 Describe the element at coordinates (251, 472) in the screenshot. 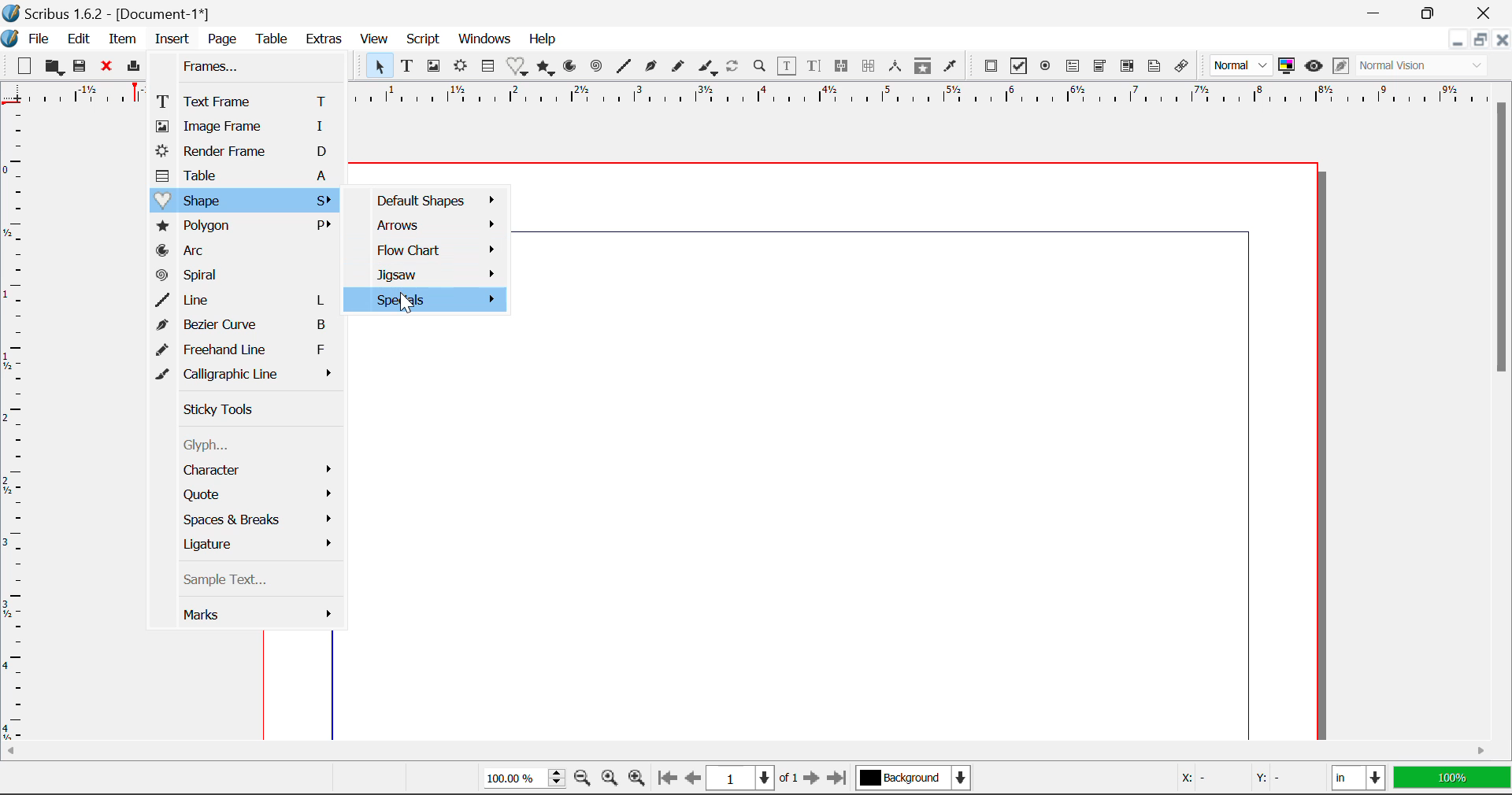

I see `Character` at that location.